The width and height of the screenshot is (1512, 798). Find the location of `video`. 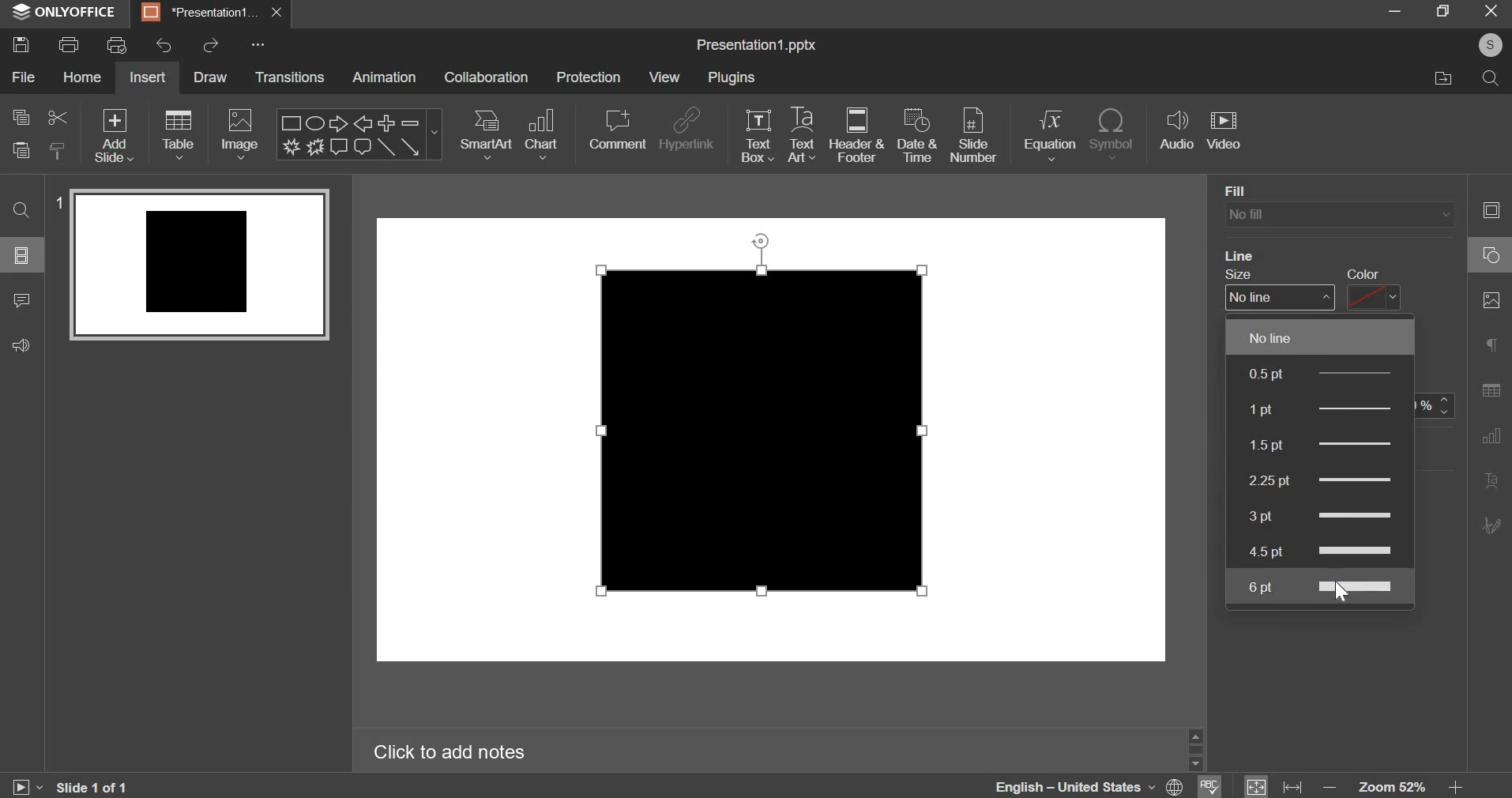

video is located at coordinates (1224, 130).